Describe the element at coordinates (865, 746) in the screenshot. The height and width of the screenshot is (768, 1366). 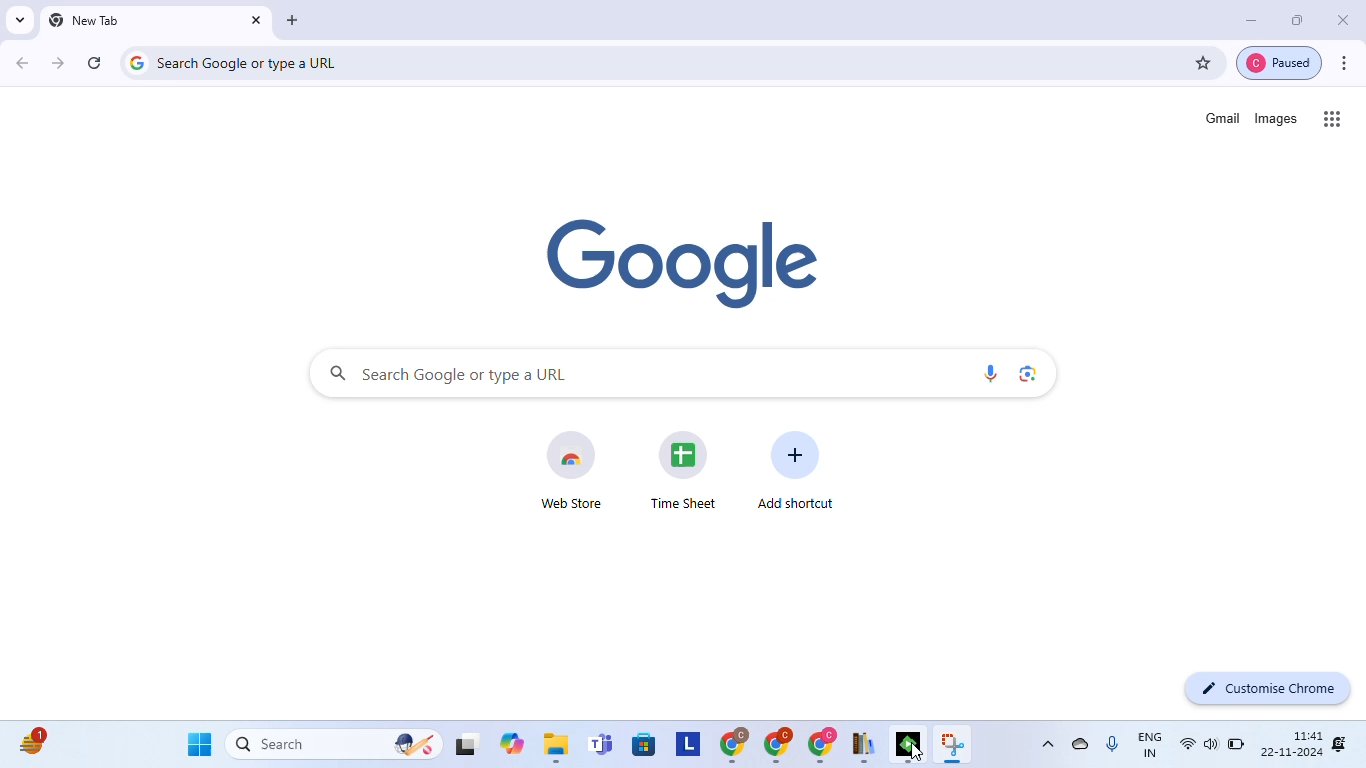
I see `note` at that location.